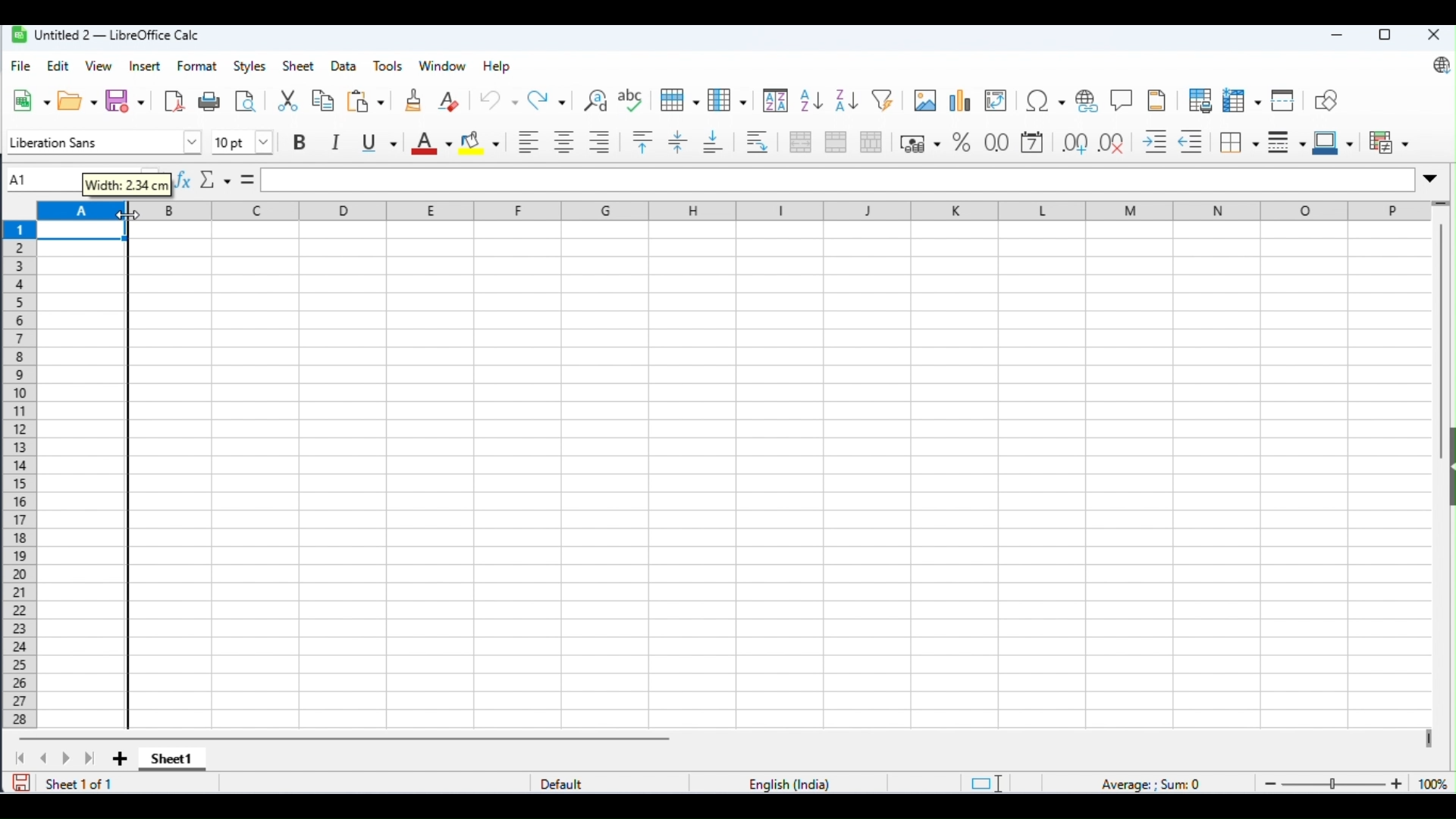 This screenshot has height=819, width=1456. Describe the element at coordinates (124, 217) in the screenshot. I see `cursor` at that location.